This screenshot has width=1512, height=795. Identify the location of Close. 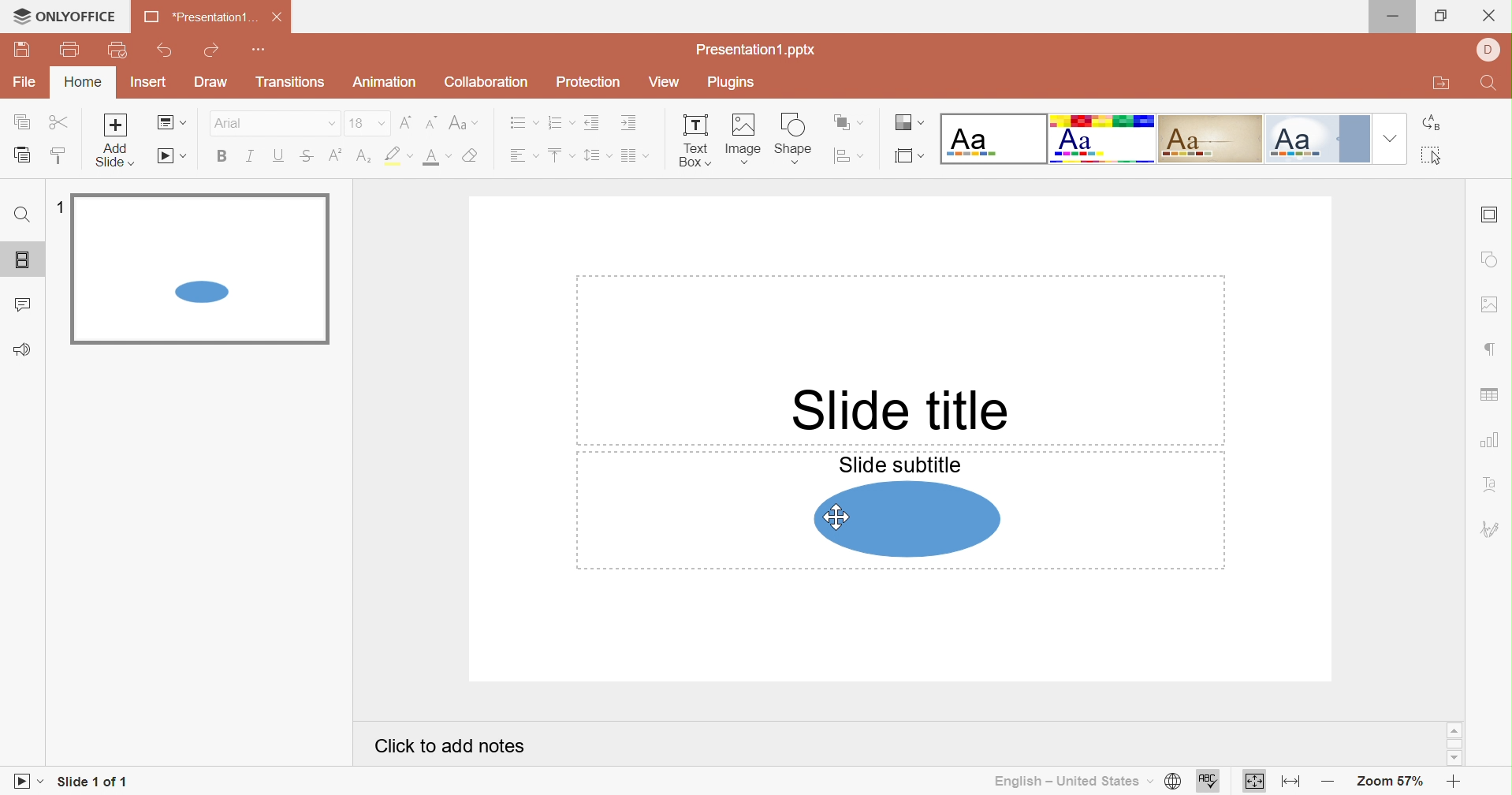
(277, 19).